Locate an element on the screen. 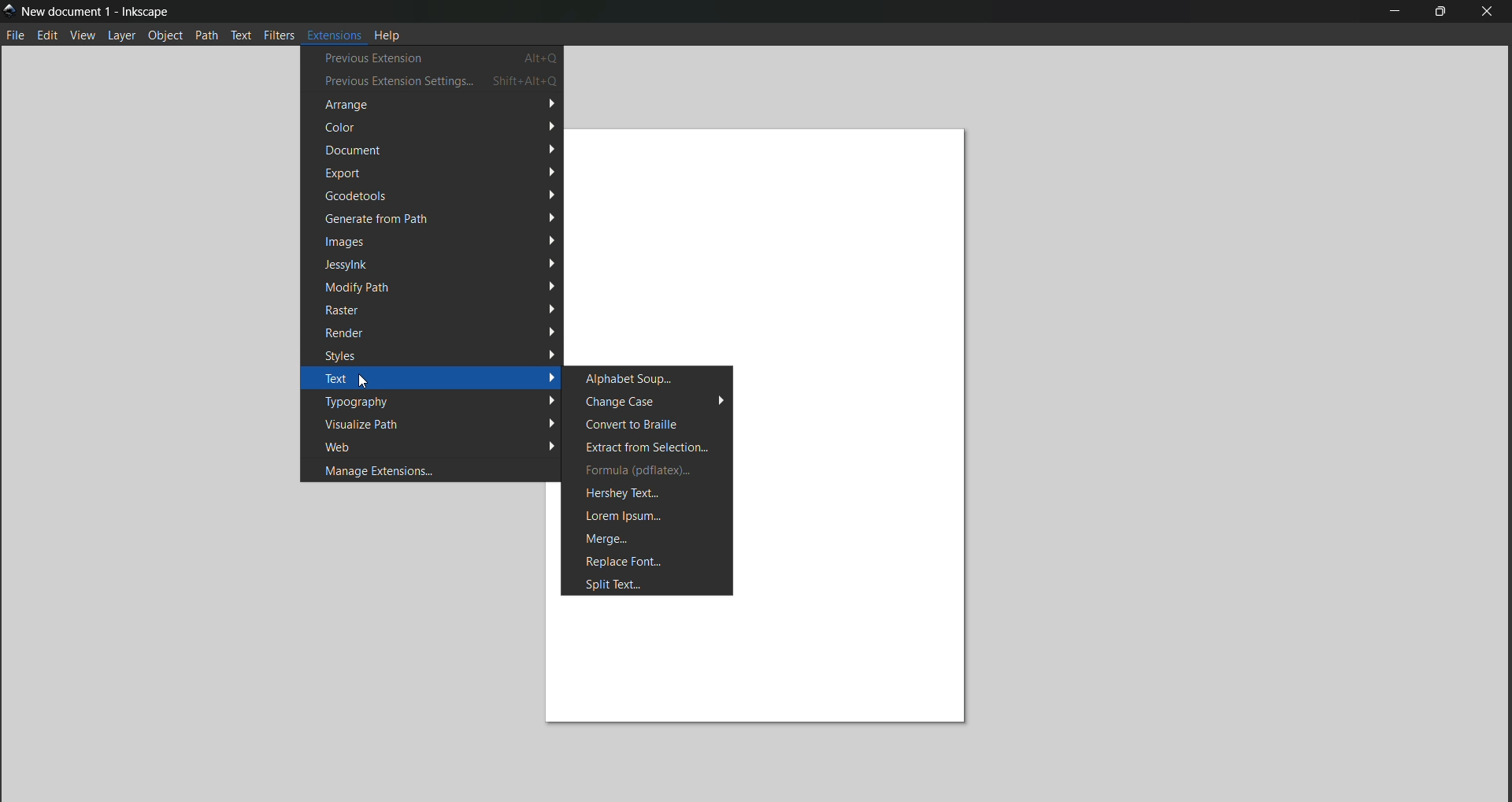  Change Case is located at coordinates (647, 401).